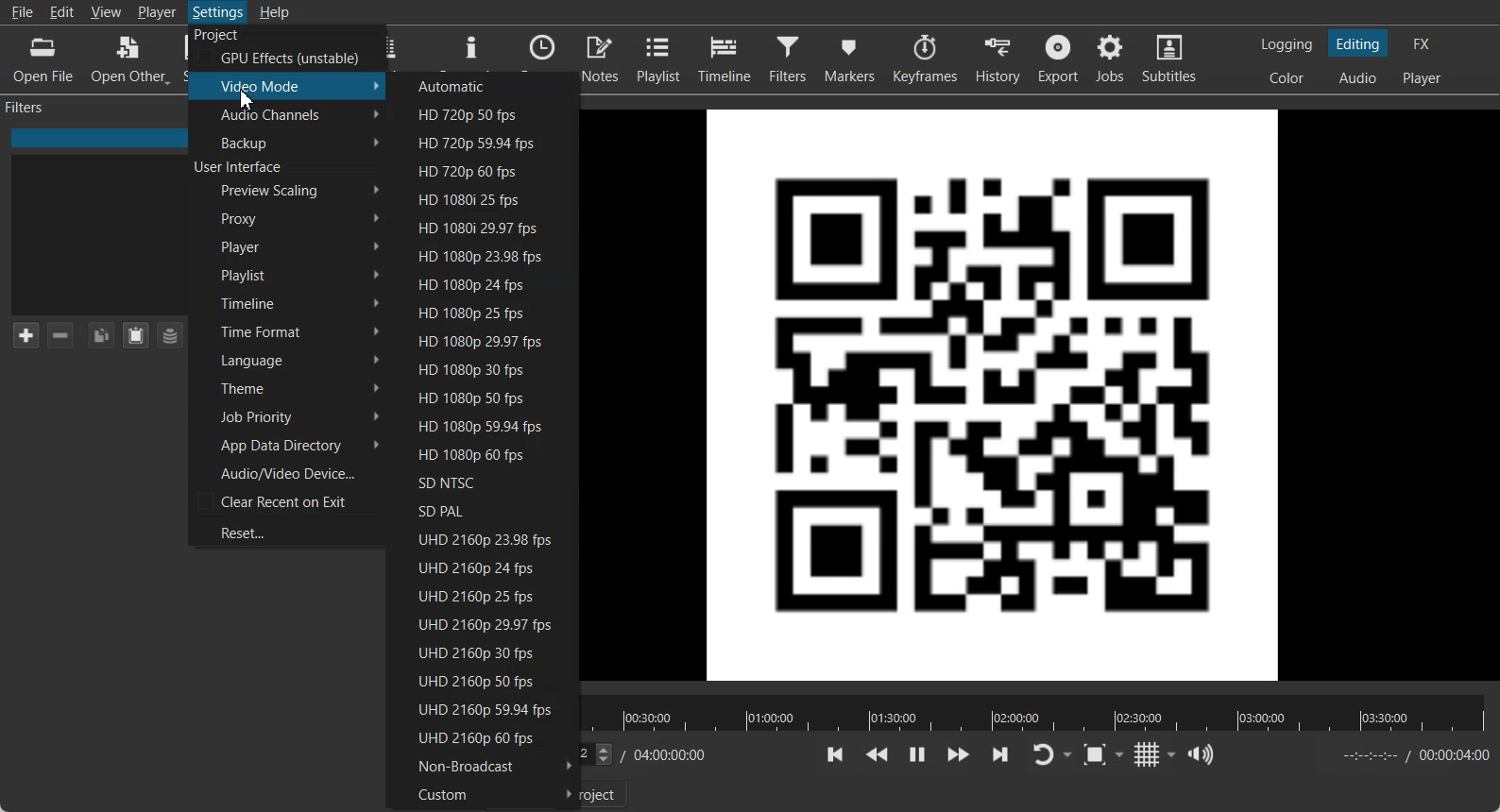 The image size is (1500, 812). Describe the element at coordinates (471, 48) in the screenshot. I see `Properties` at that location.